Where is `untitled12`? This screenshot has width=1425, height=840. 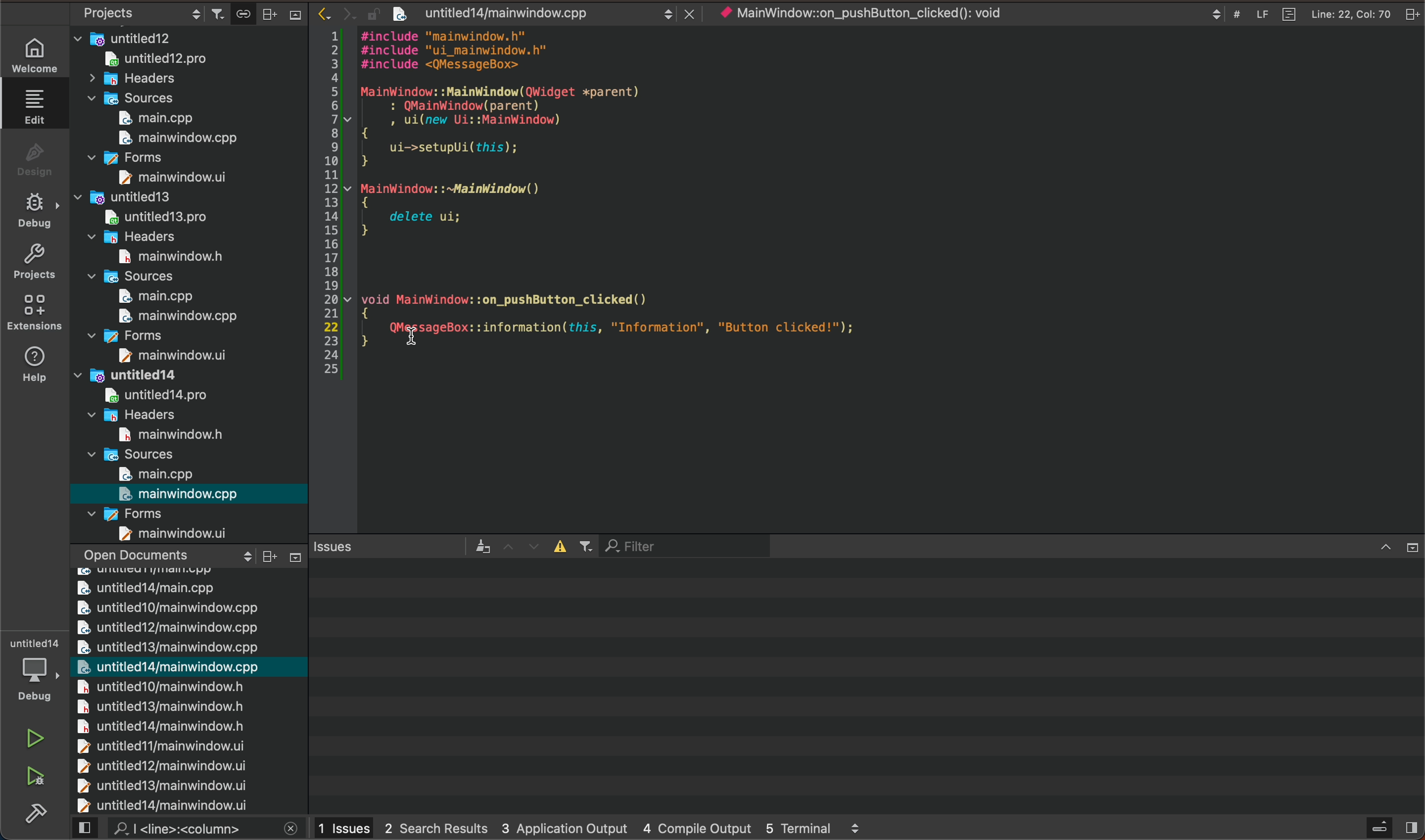
untitled12 is located at coordinates (190, 36).